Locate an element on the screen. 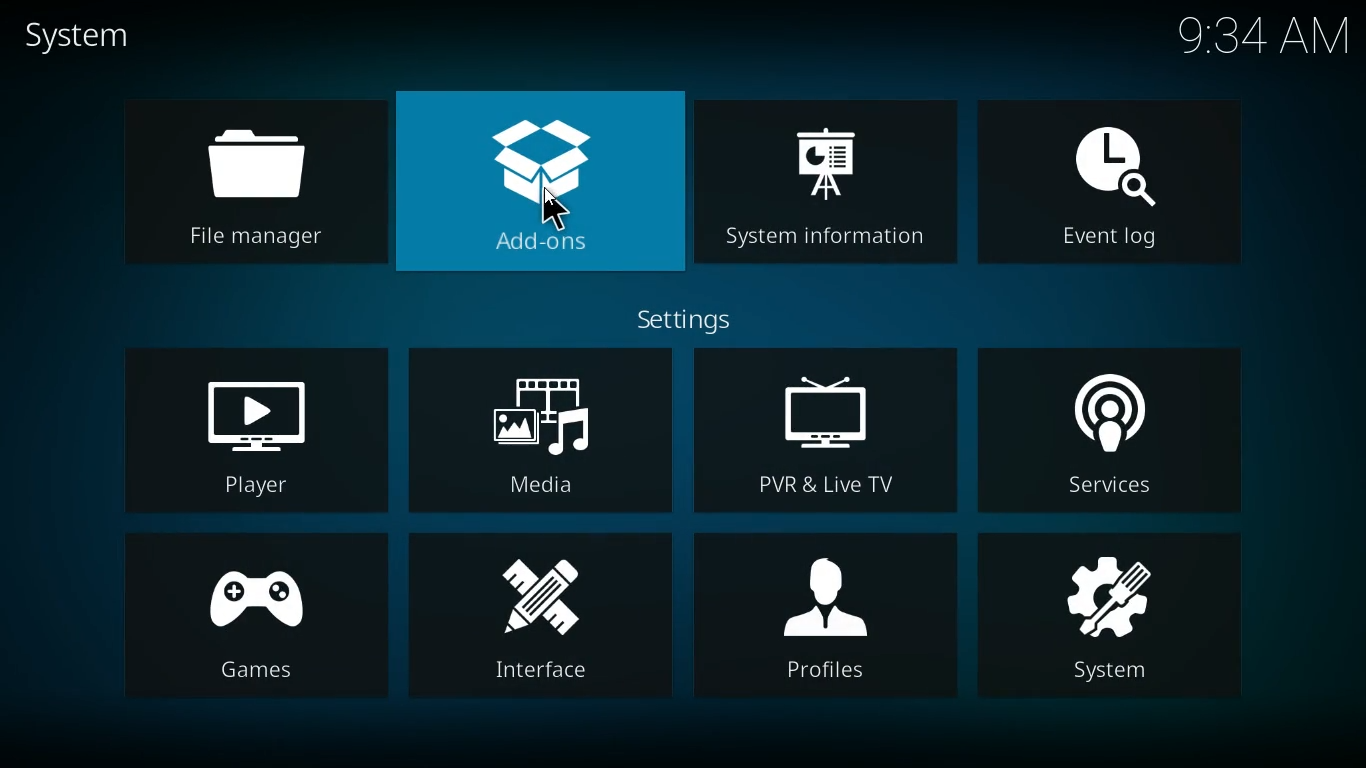 The image size is (1366, 768). add-ons is located at coordinates (539, 182).